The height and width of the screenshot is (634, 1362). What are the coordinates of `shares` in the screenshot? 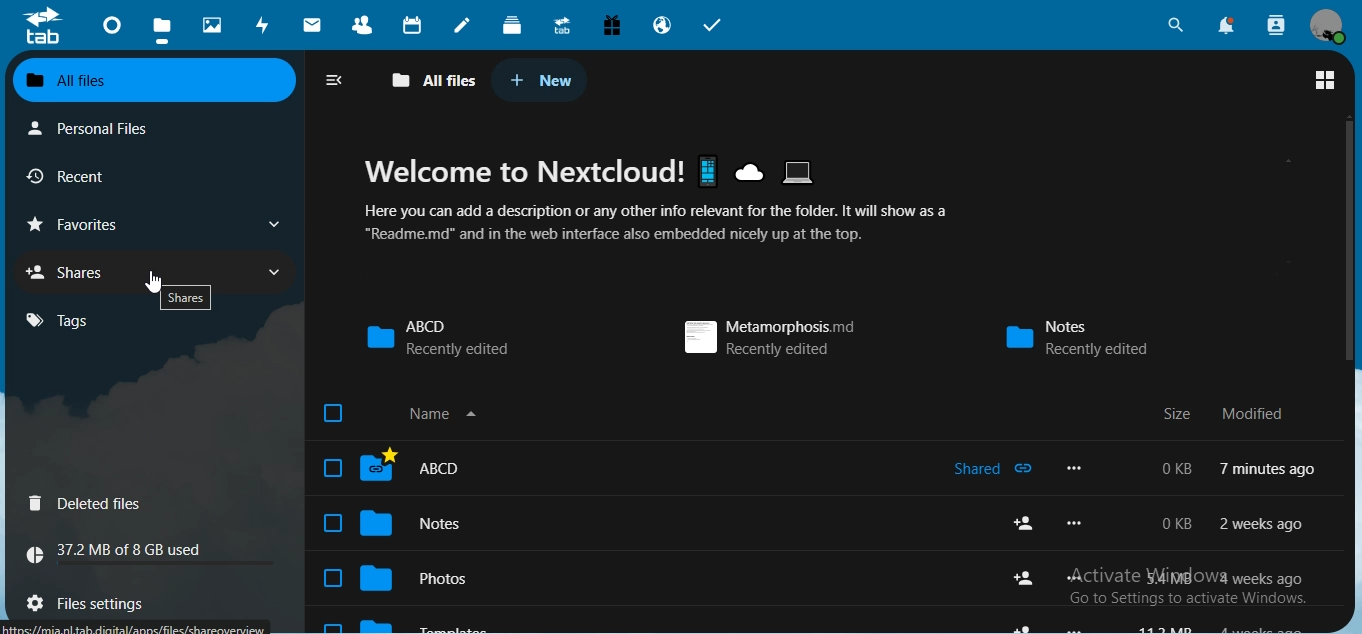 It's located at (187, 298).